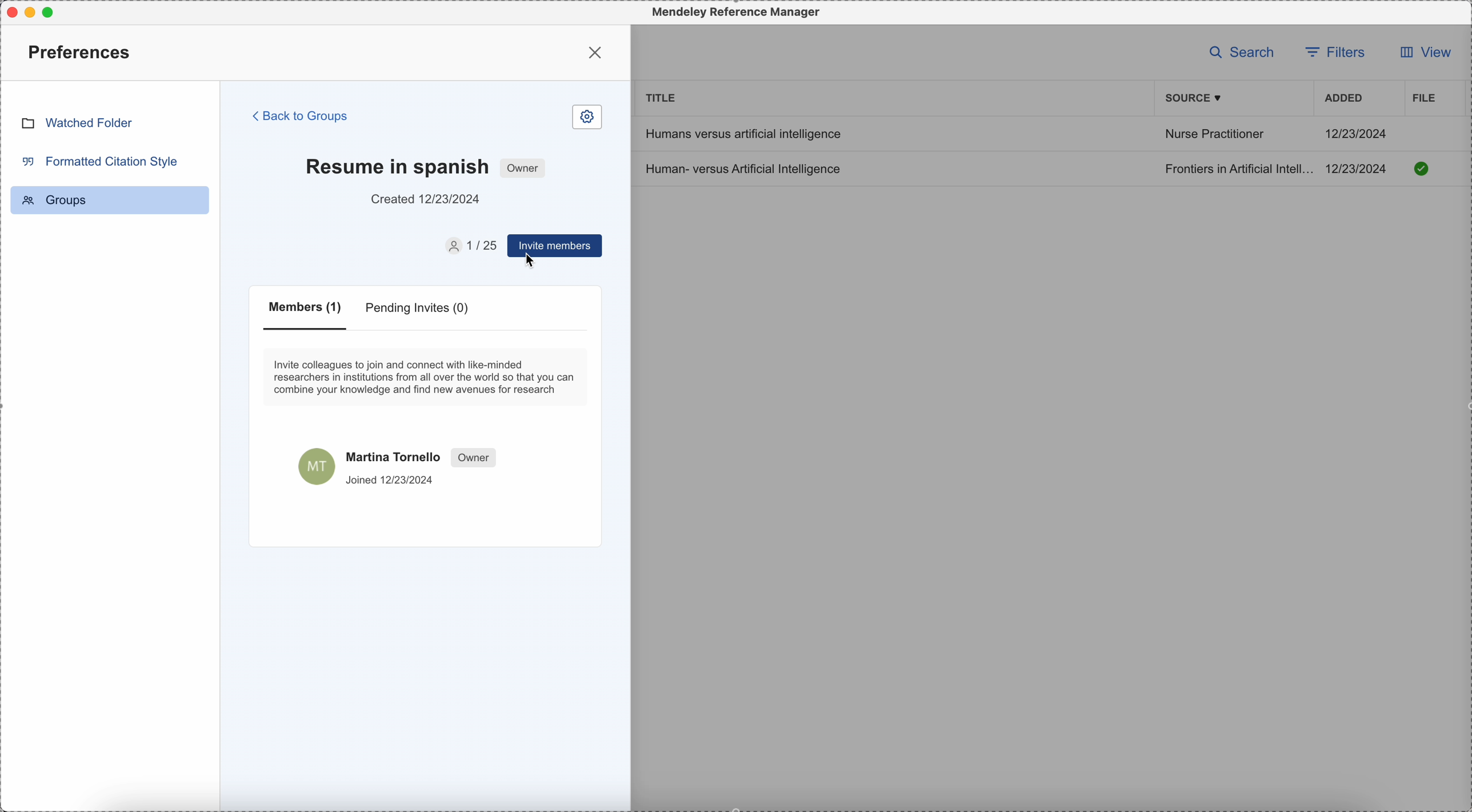  Describe the element at coordinates (1344, 99) in the screenshot. I see `added` at that location.